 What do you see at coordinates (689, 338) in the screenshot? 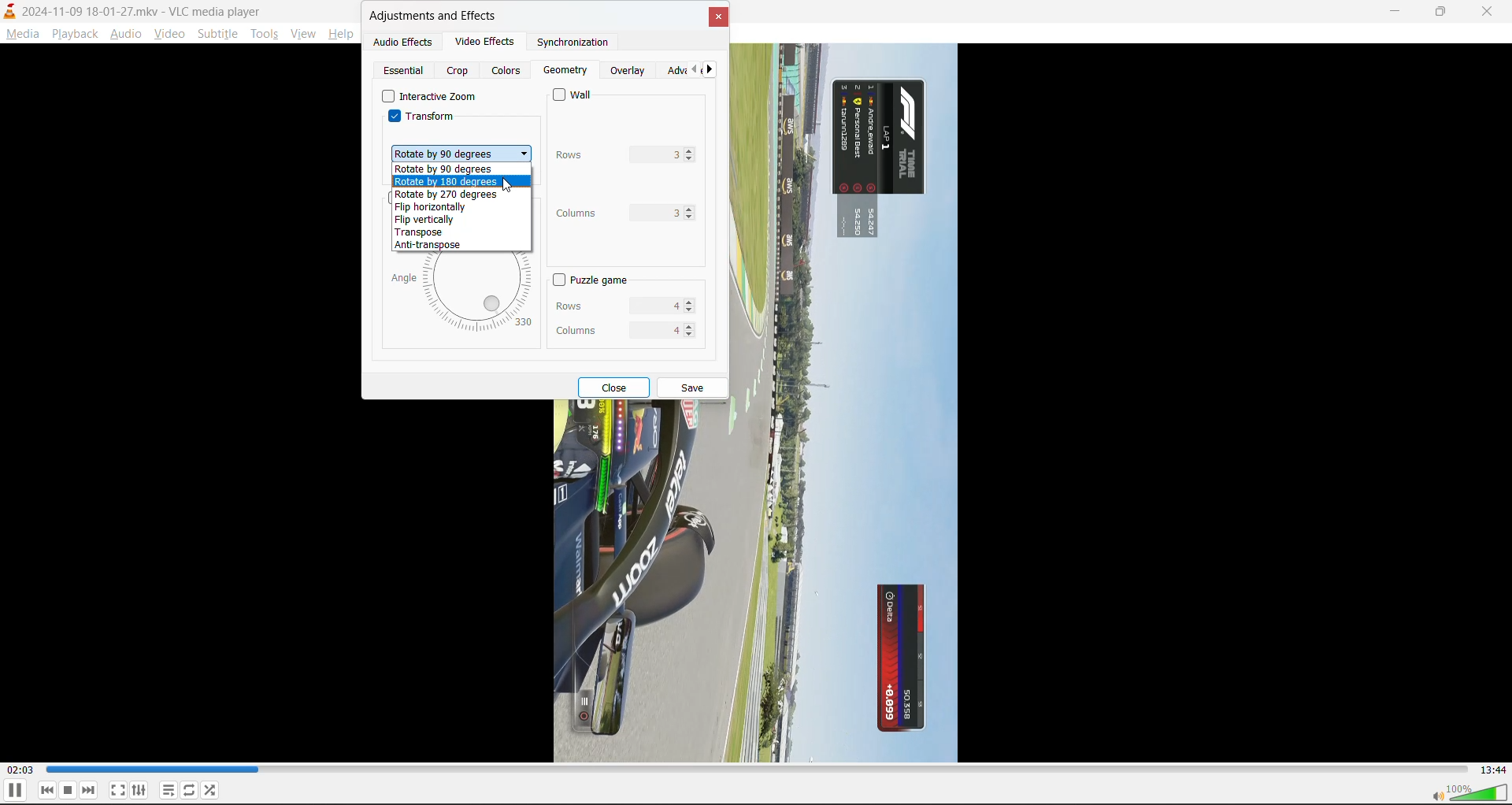
I see `Decrease` at bounding box center [689, 338].